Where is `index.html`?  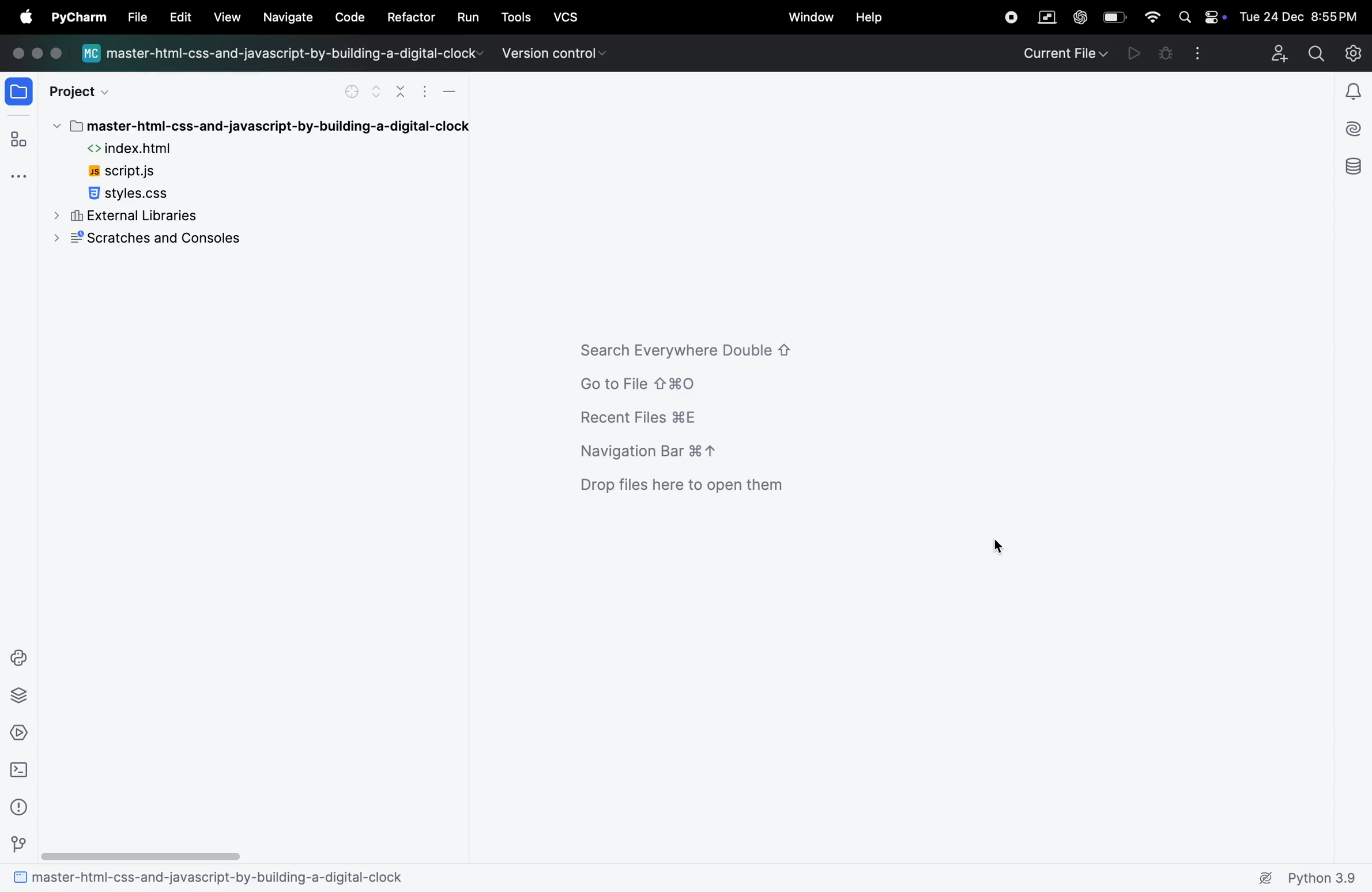
index.html is located at coordinates (151, 149).